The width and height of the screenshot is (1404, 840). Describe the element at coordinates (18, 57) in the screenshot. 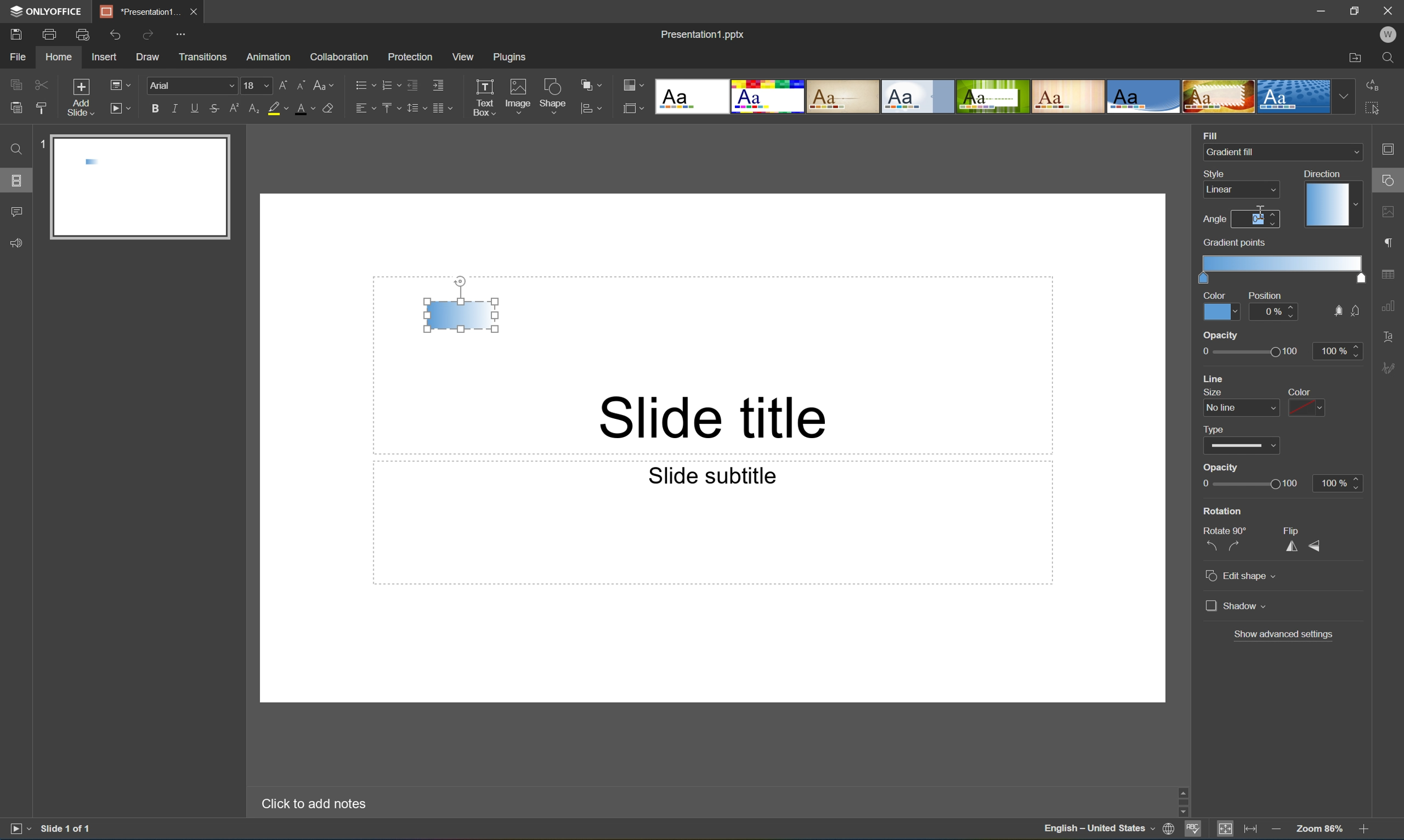

I see `File` at that location.